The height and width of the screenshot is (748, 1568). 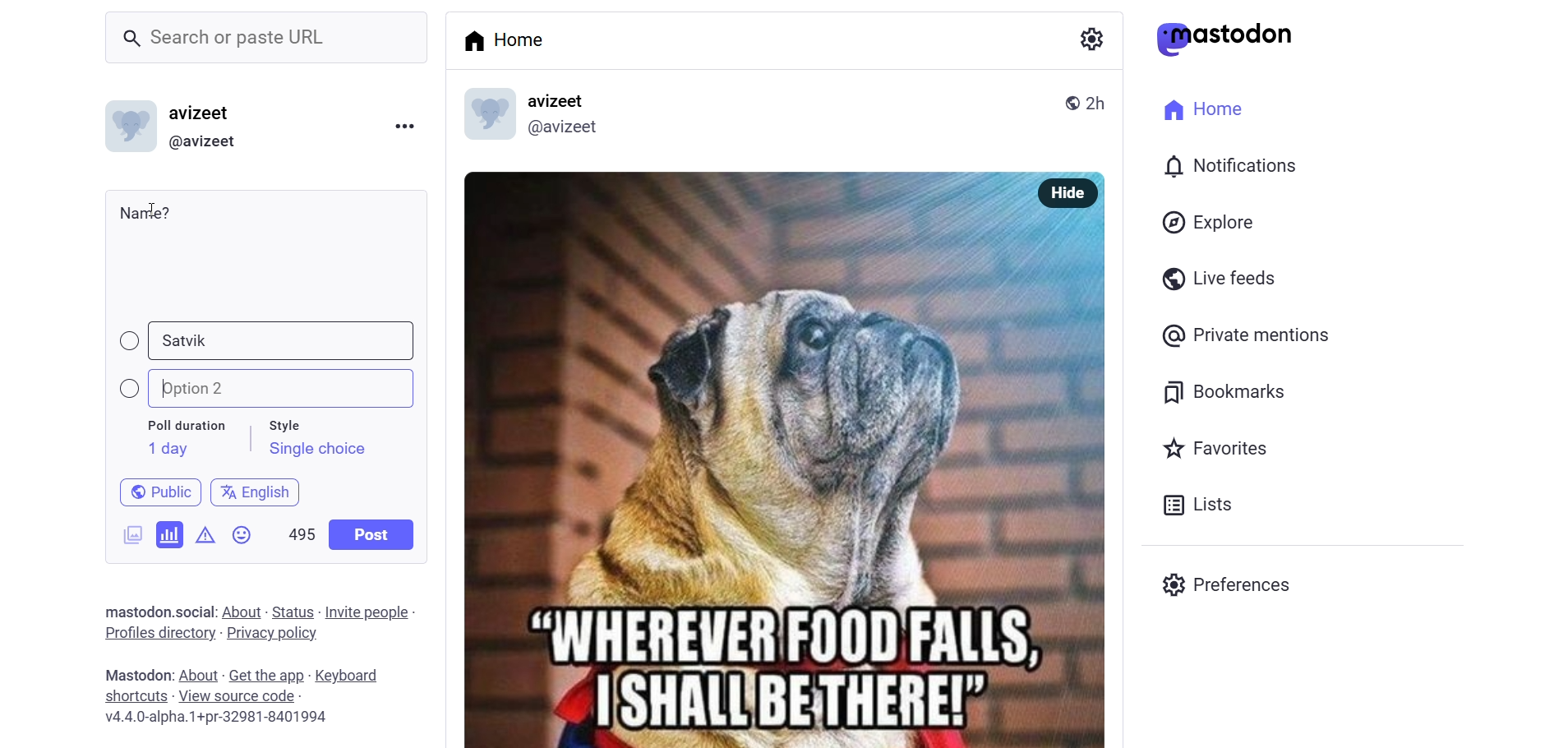 I want to click on 2h, so click(x=1102, y=95).